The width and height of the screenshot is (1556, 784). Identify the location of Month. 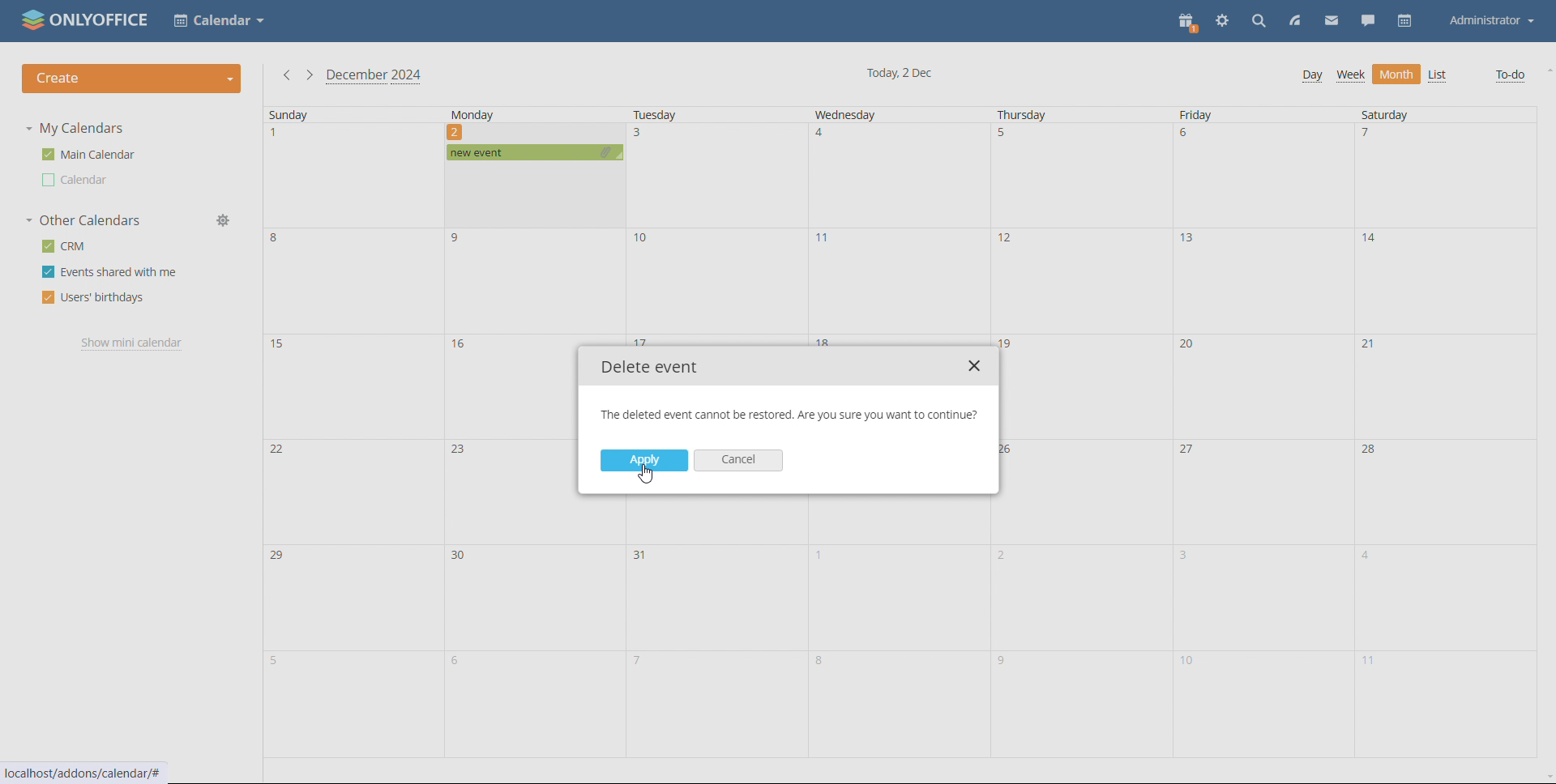
(1397, 75).